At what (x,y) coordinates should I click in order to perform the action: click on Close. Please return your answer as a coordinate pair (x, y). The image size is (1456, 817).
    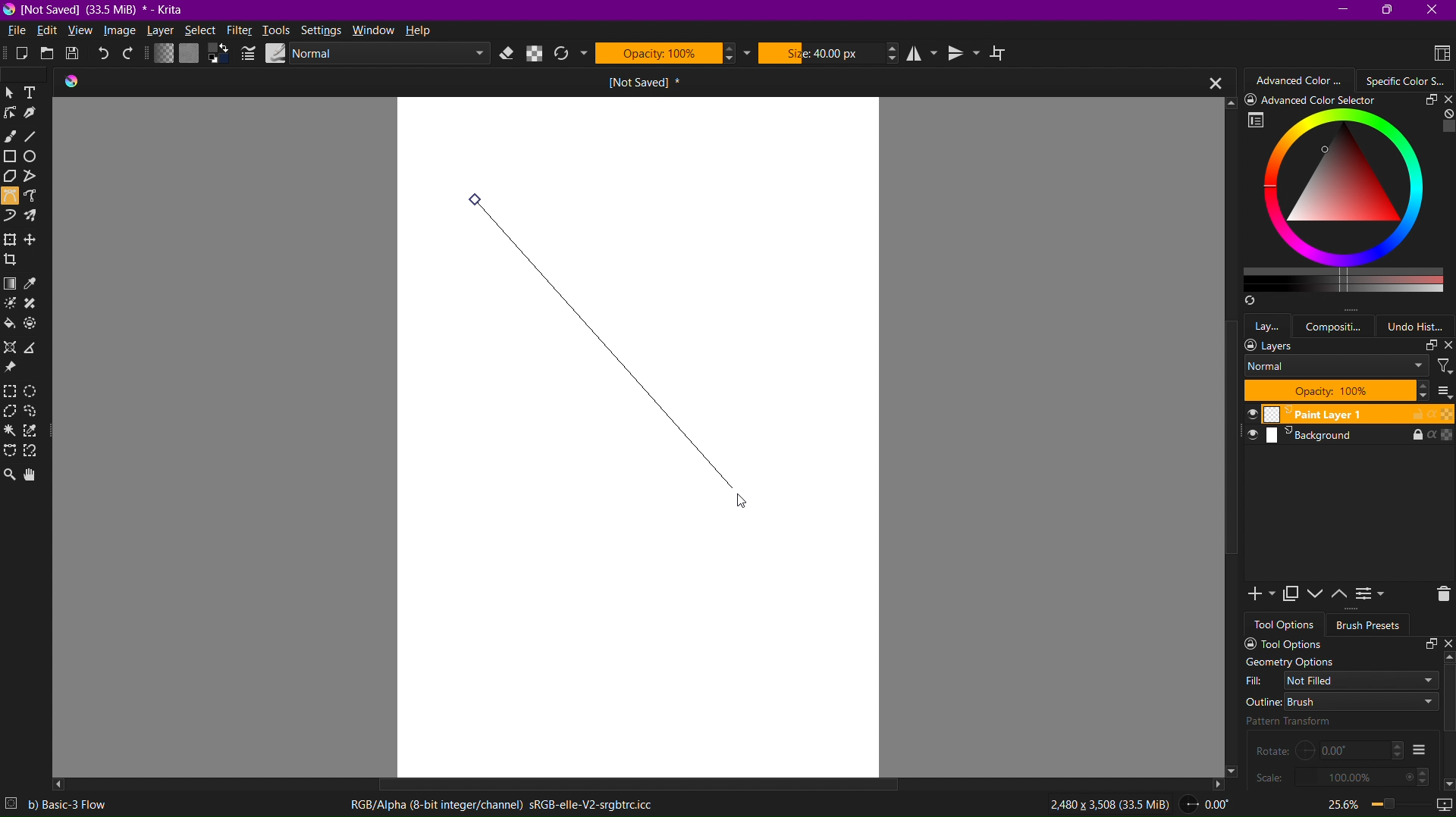
    Looking at the image, I should click on (1209, 82).